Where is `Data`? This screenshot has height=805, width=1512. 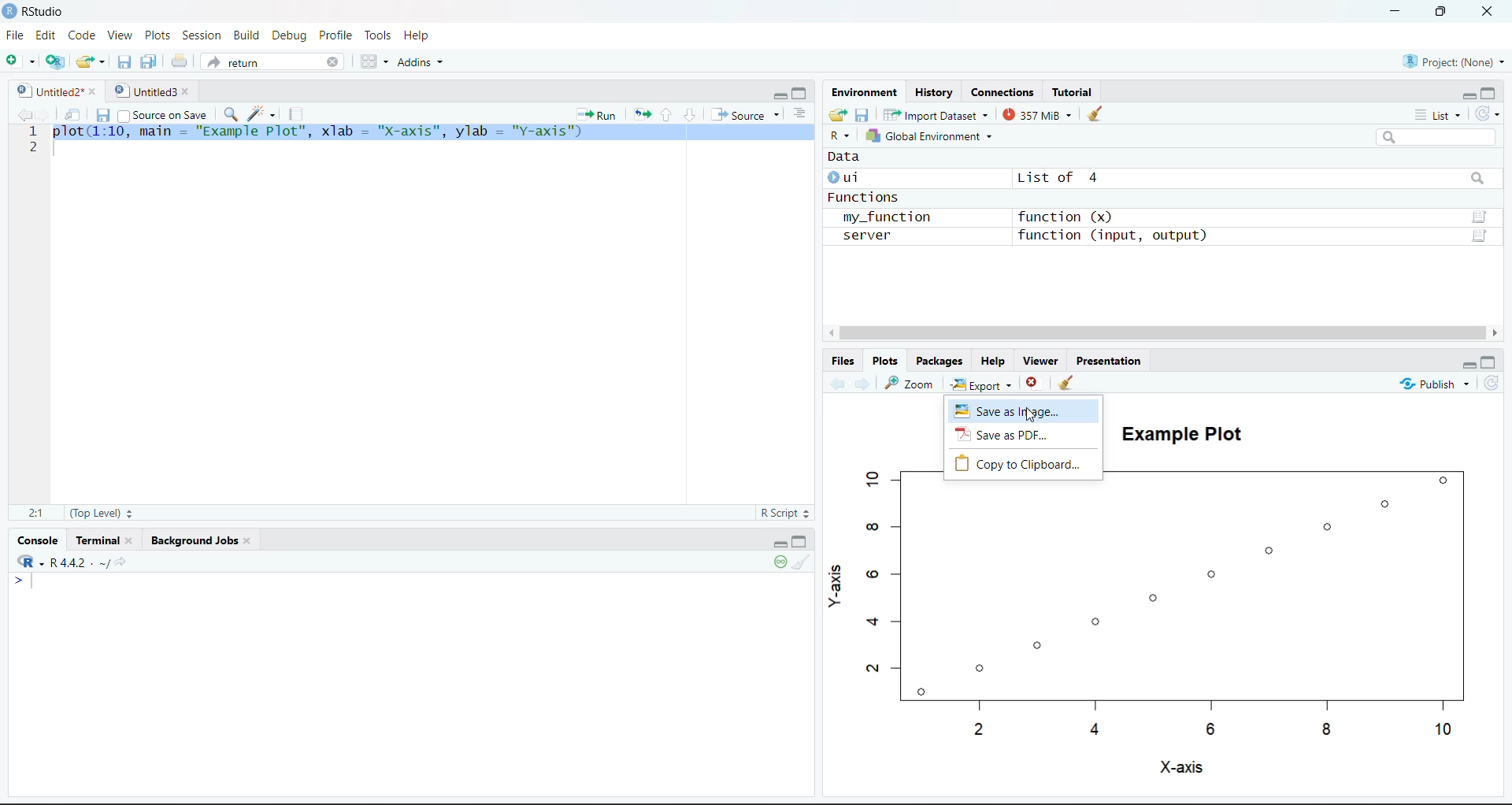 Data is located at coordinates (846, 158).